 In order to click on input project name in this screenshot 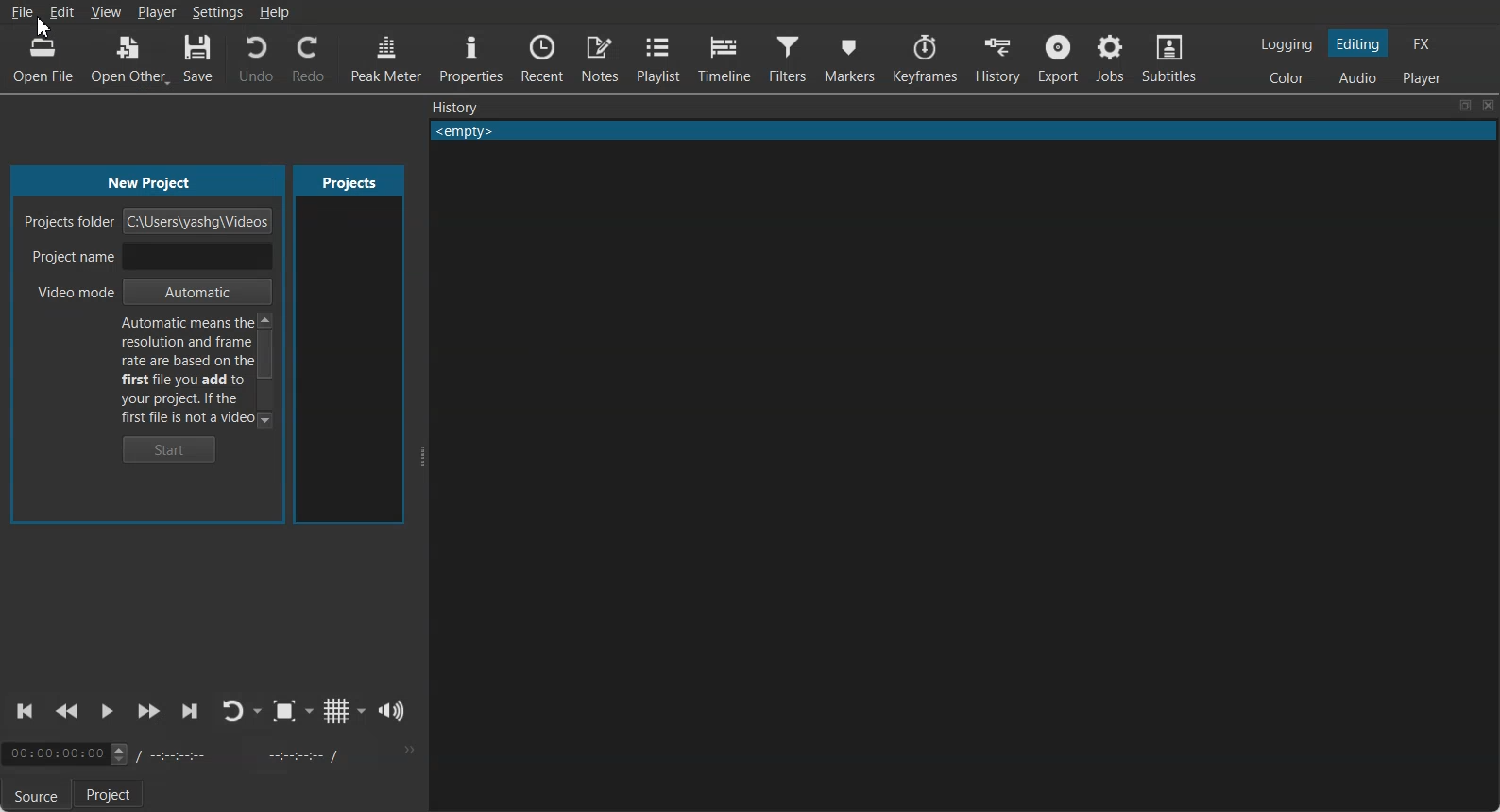, I will do `click(196, 258)`.